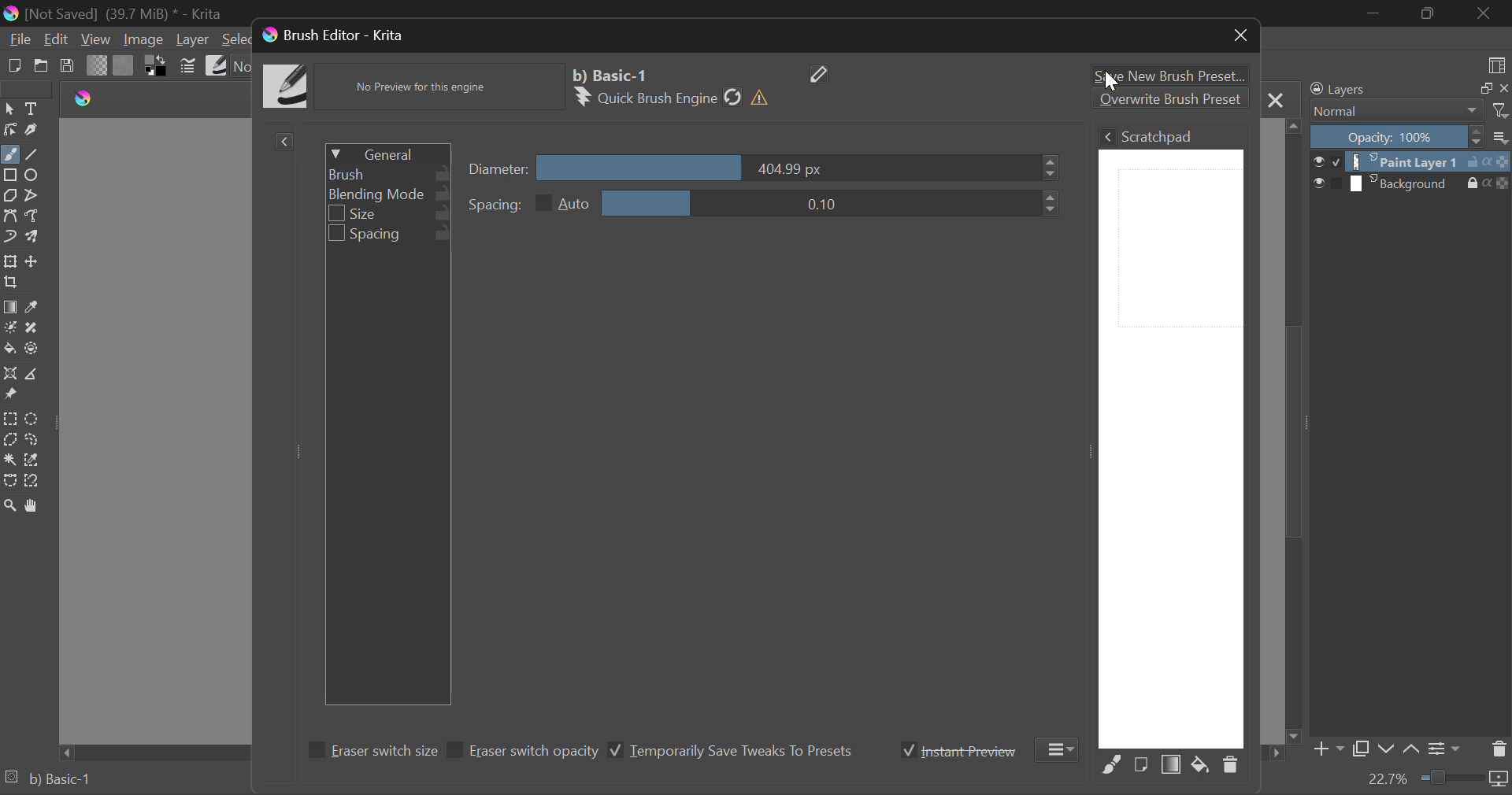  I want to click on Overwrite Brush Preset, so click(1169, 98).